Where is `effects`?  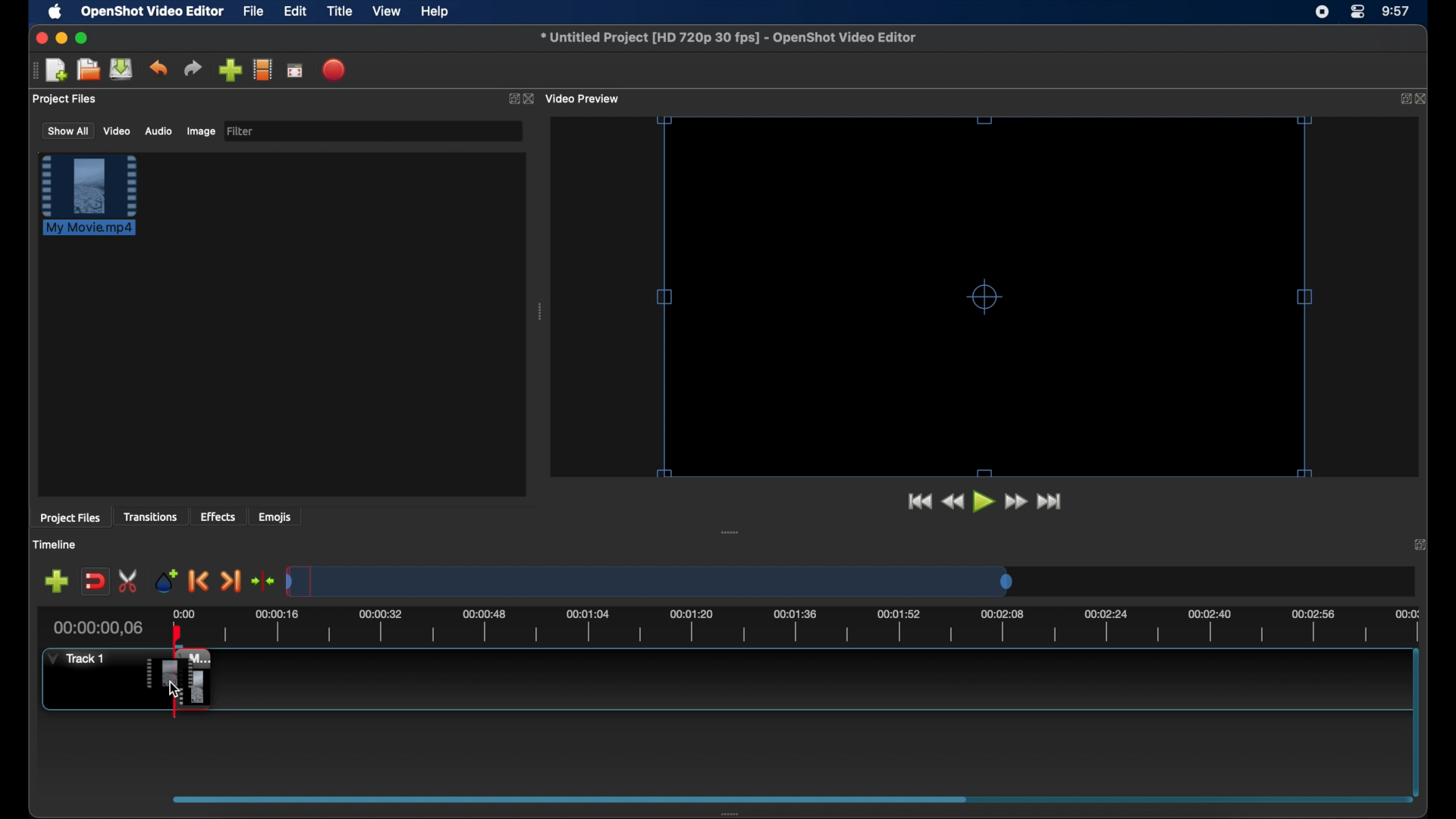 effects is located at coordinates (218, 516).